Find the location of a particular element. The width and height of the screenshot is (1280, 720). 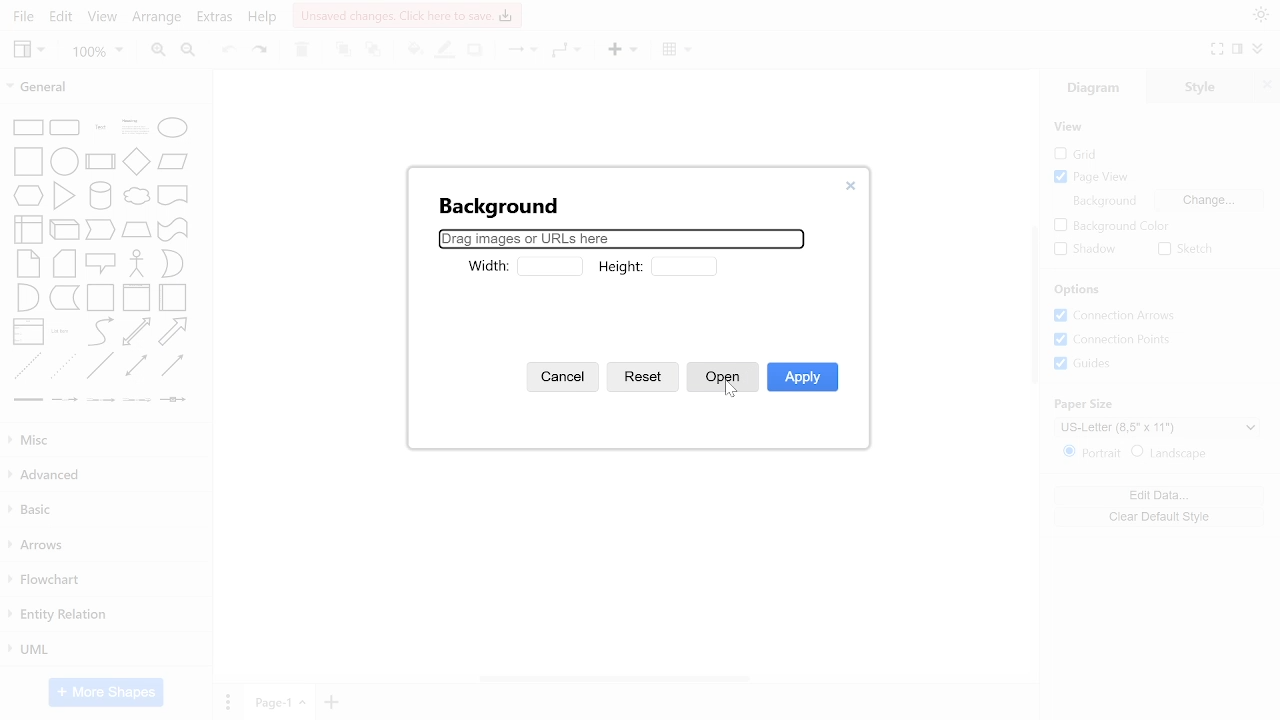

general shapes is located at coordinates (135, 262).